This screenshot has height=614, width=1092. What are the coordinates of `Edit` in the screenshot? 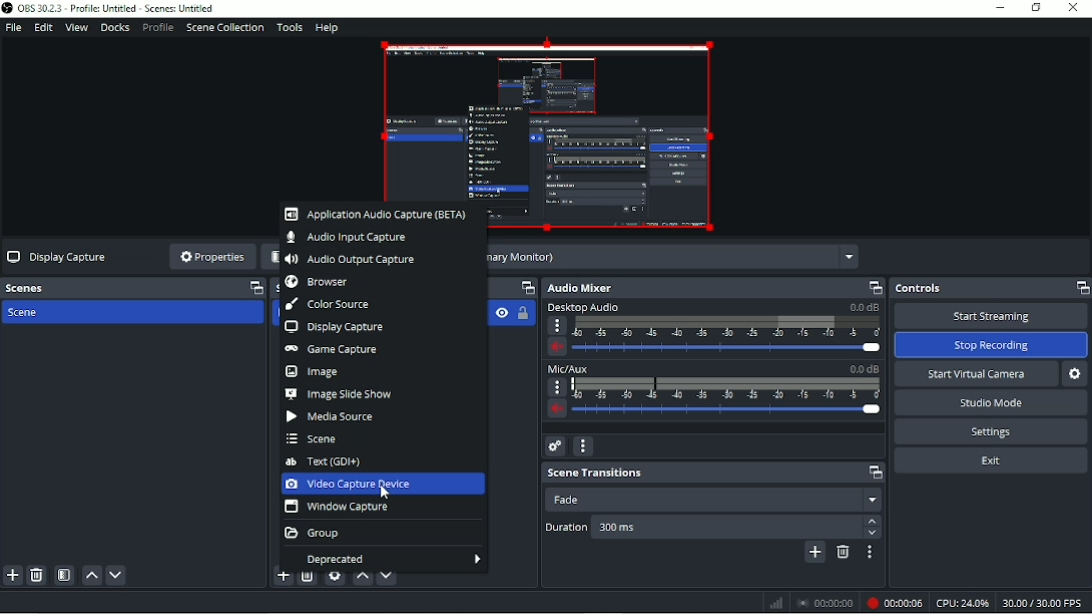 It's located at (44, 27).